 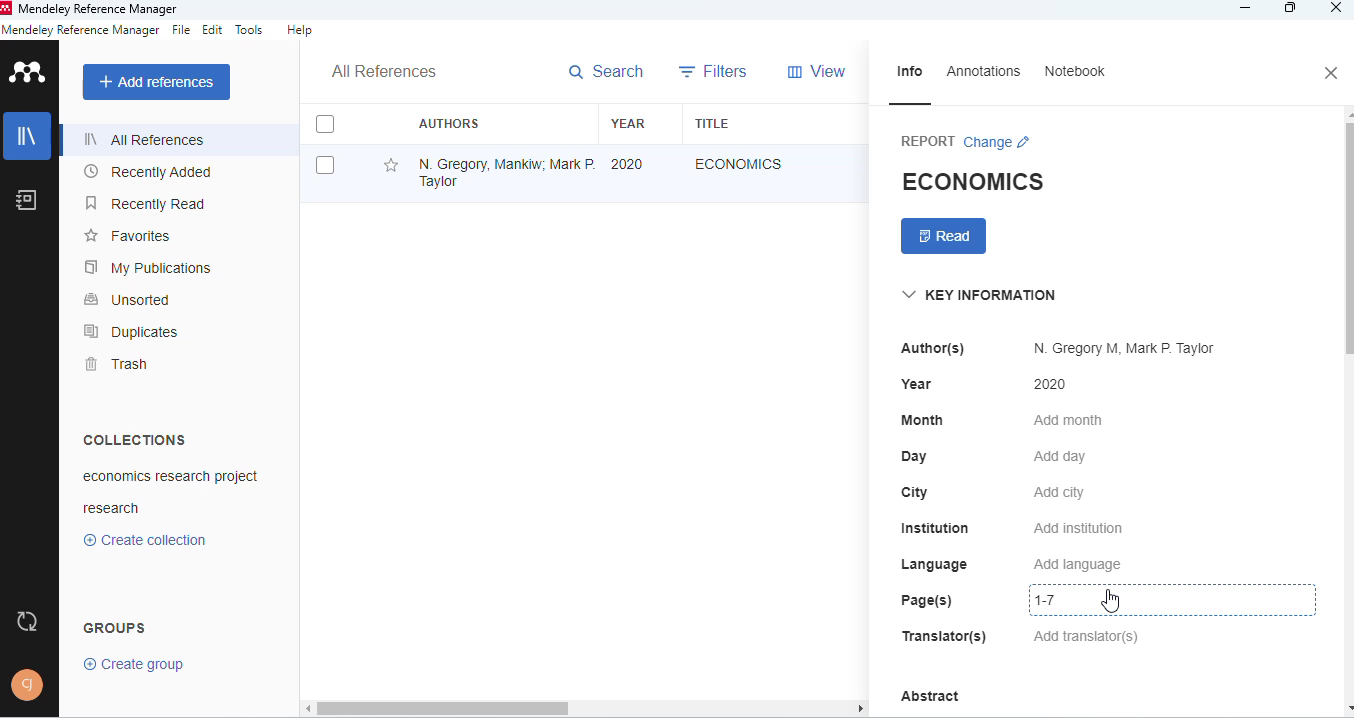 What do you see at coordinates (127, 300) in the screenshot?
I see `unsorted` at bounding box center [127, 300].